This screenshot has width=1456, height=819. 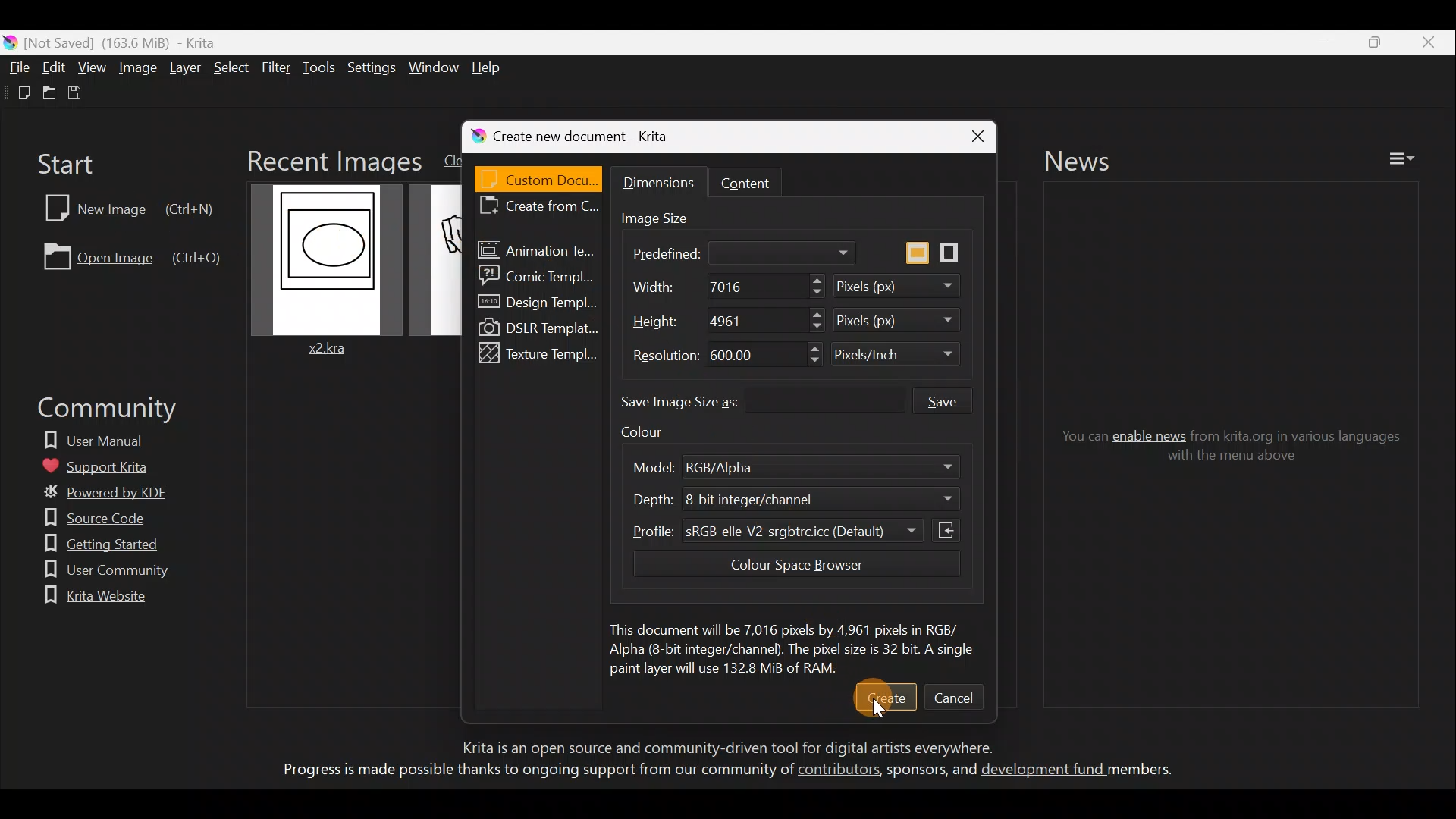 I want to click on Import profile, so click(x=950, y=528).